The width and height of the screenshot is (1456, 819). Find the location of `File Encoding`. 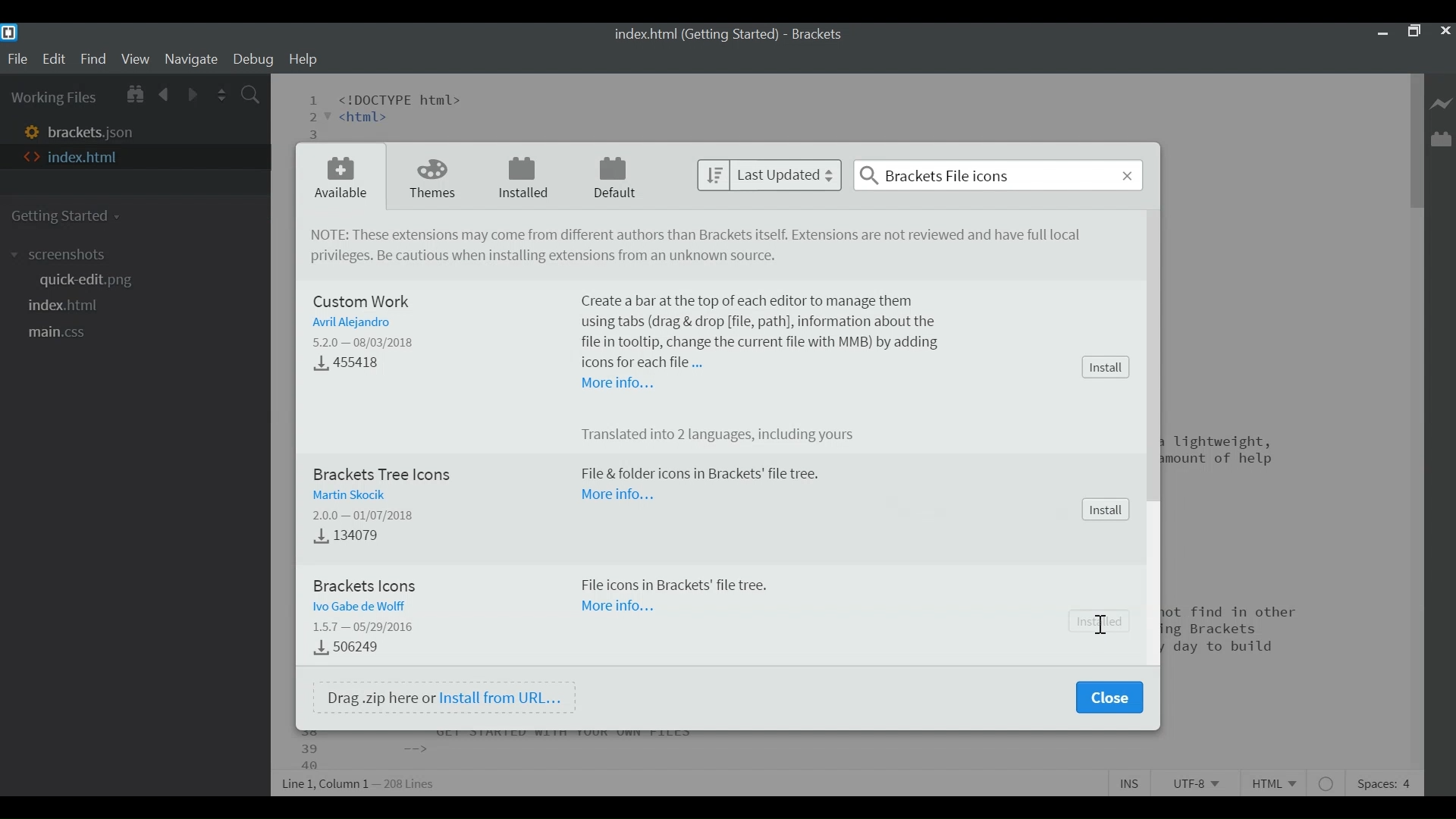

File Encoding is located at coordinates (1193, 783).